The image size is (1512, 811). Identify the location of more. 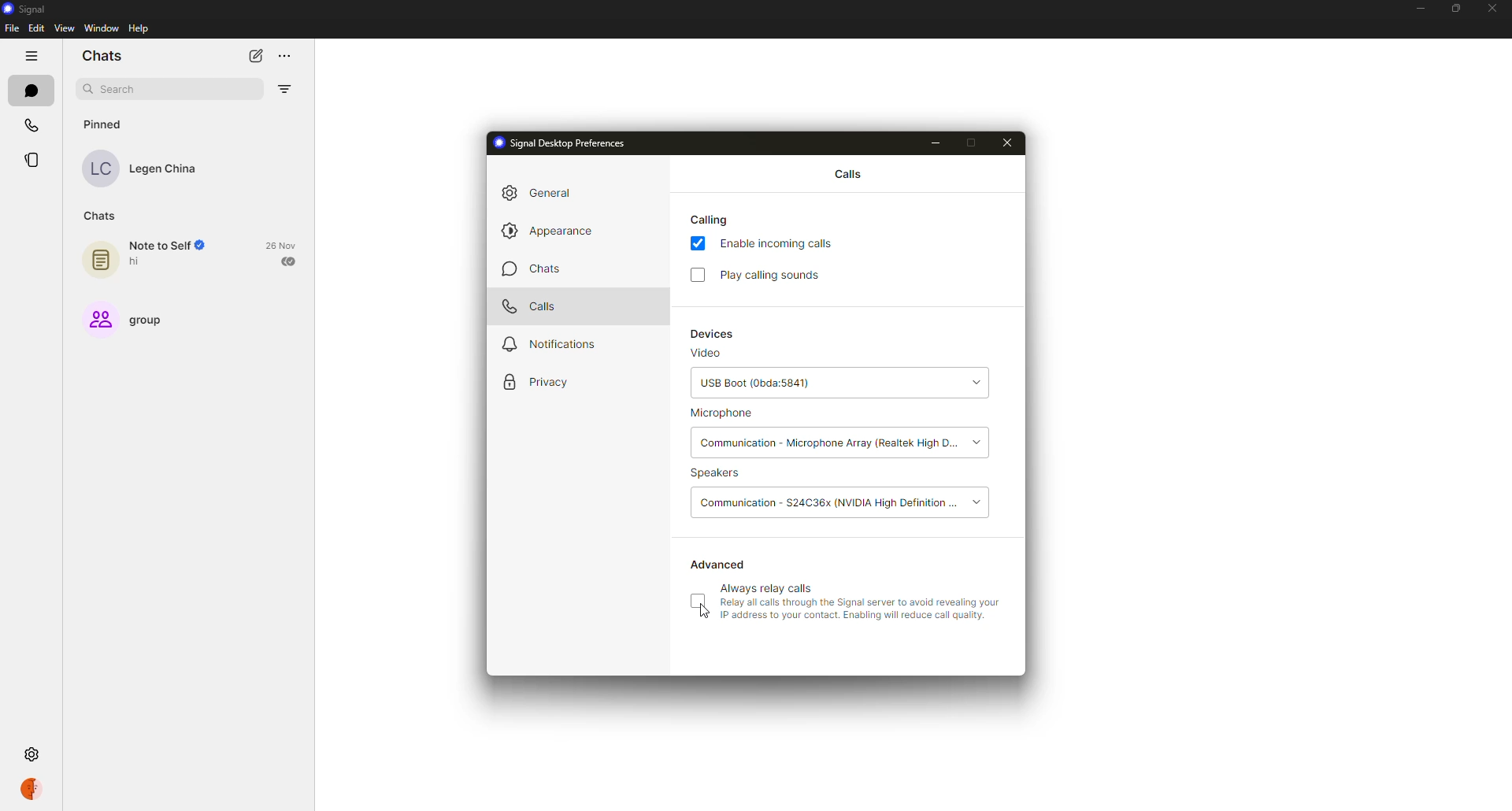
(286, 57).